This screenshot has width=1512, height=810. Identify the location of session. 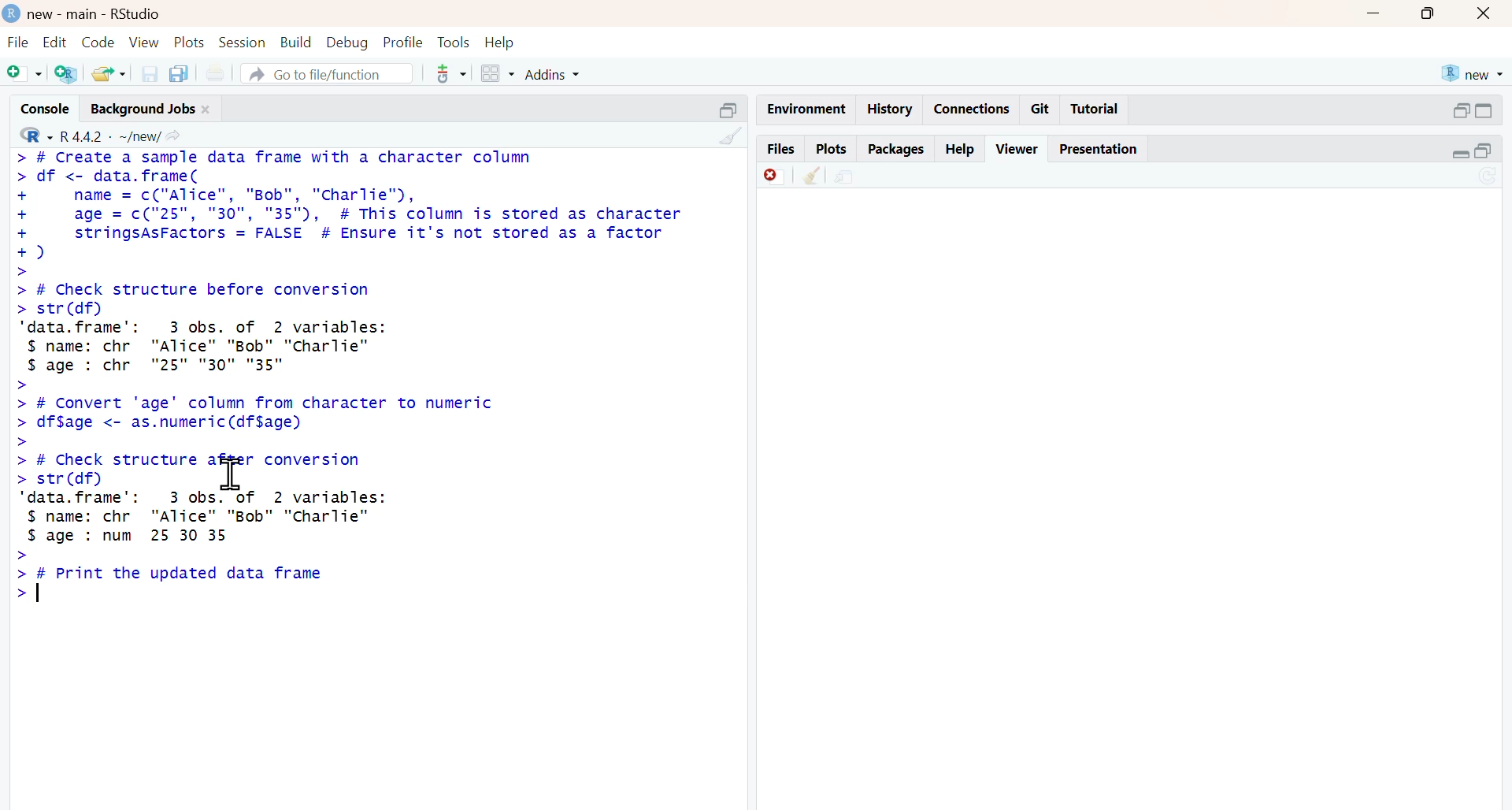
(241, 43).